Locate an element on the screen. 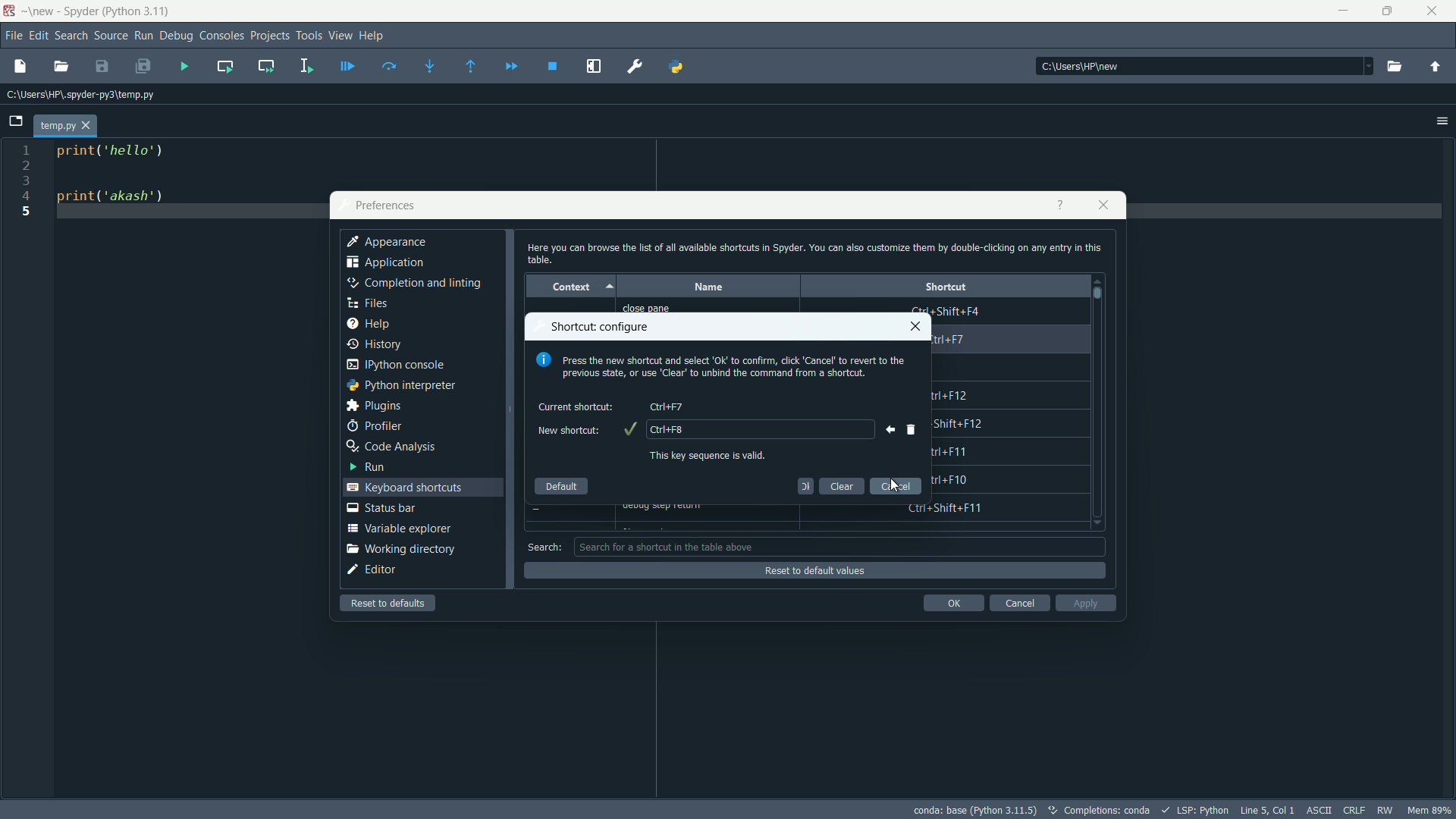 The height and width of the screenshot is (819, 1456). file menu is located at coordinates (15, 36).